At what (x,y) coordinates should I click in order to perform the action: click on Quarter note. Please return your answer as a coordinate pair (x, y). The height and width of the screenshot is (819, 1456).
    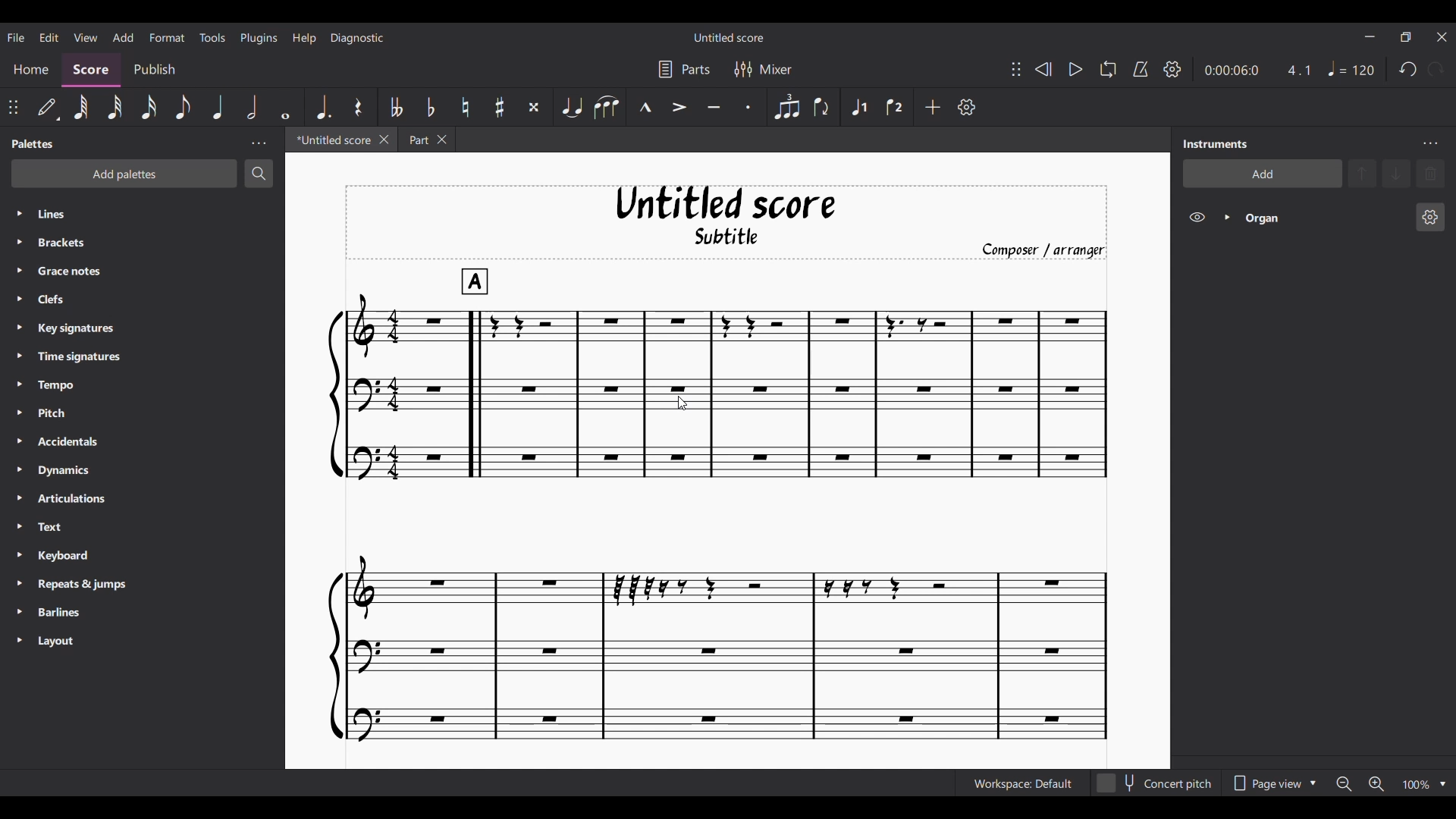
    Looking at the image, I should click on (218, 107).